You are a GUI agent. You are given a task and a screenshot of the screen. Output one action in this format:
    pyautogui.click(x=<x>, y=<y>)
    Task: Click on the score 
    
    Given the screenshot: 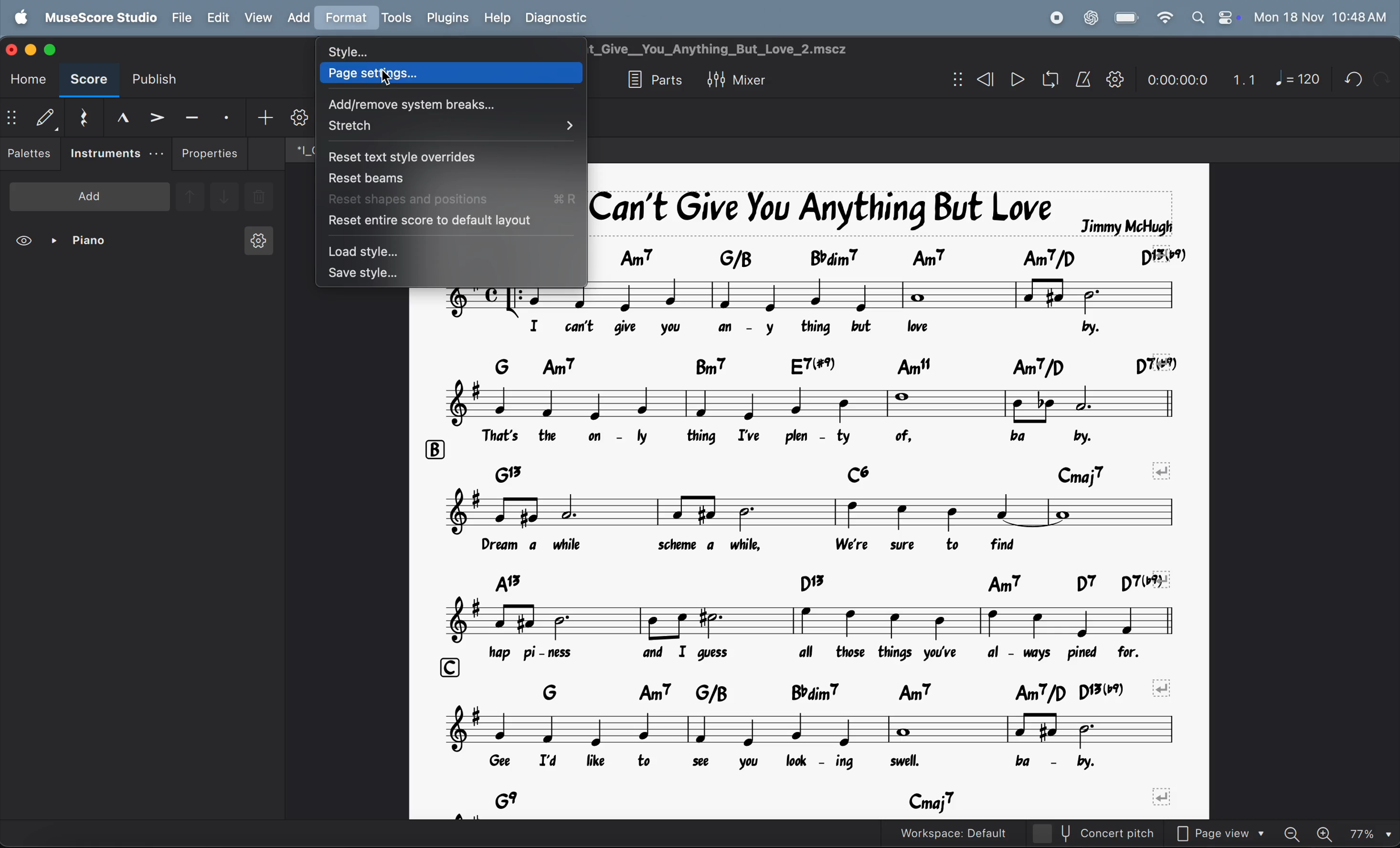 What is the action you would take?
    pyautogui.click(x=89, y=81)
    